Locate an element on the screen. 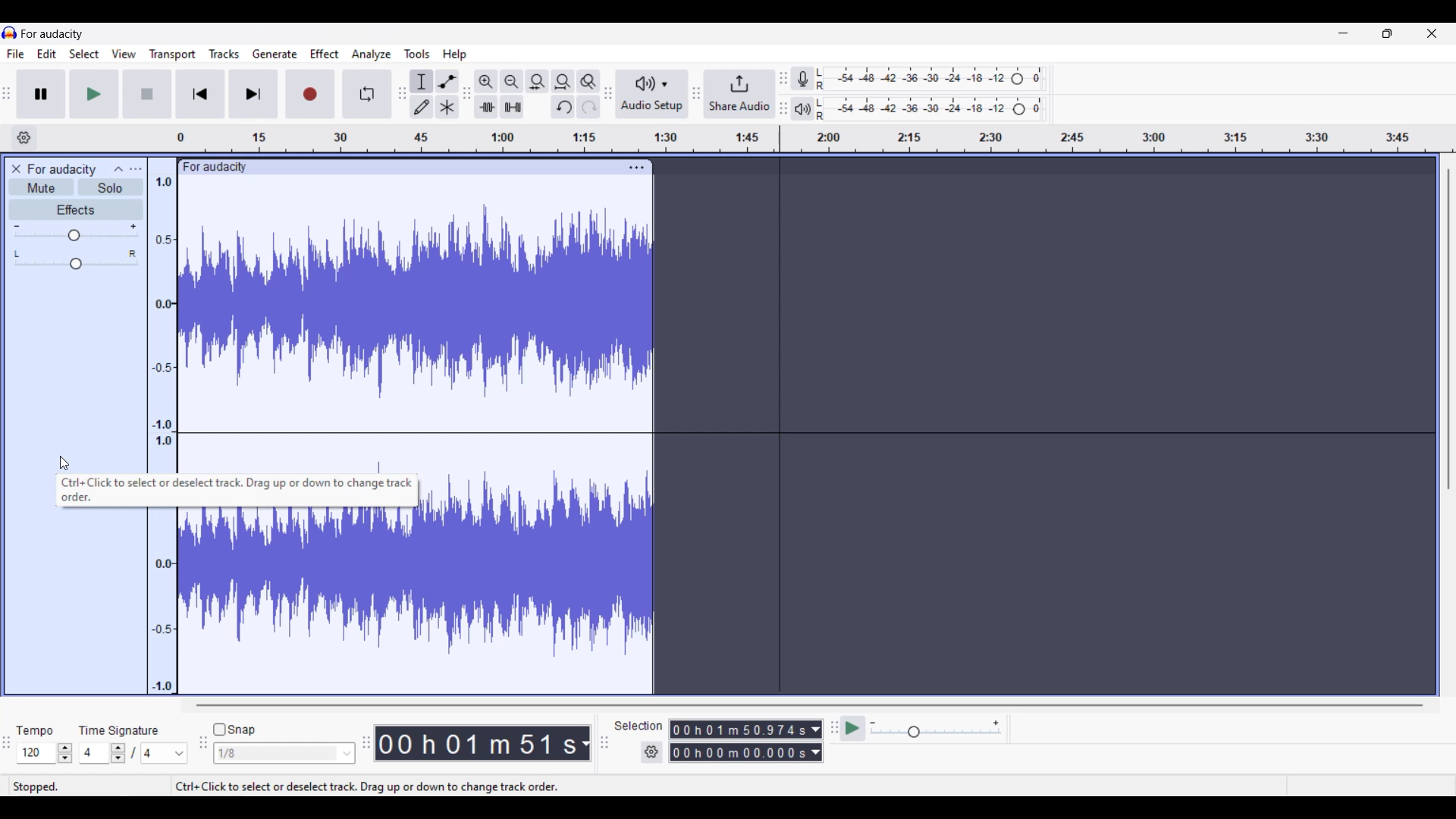  Settings is located at coordinates (652, 752).